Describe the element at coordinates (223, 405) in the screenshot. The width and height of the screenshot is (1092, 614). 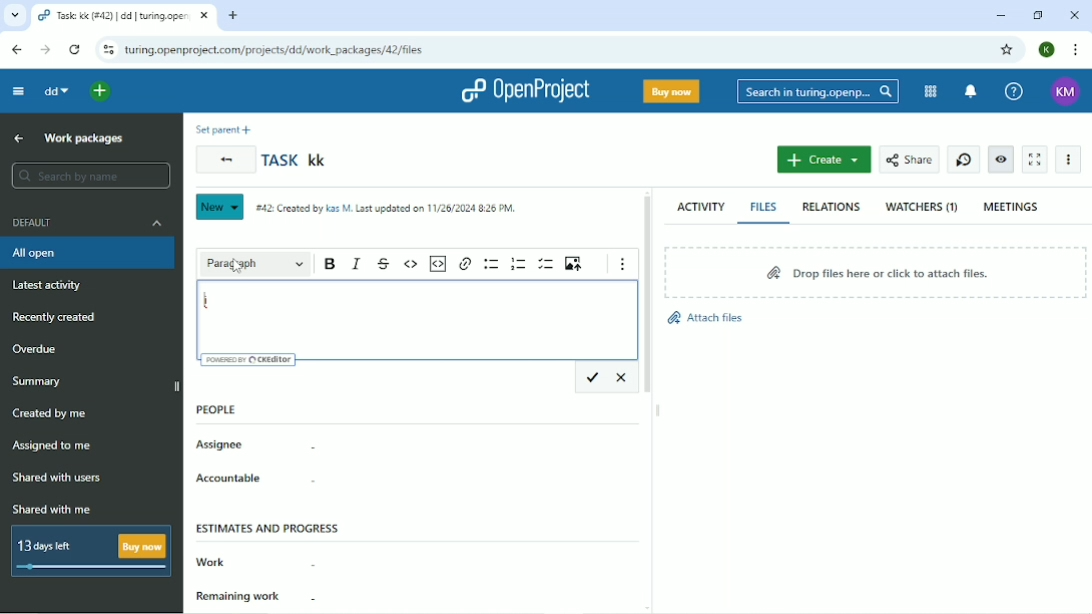
I see `People` at that location.